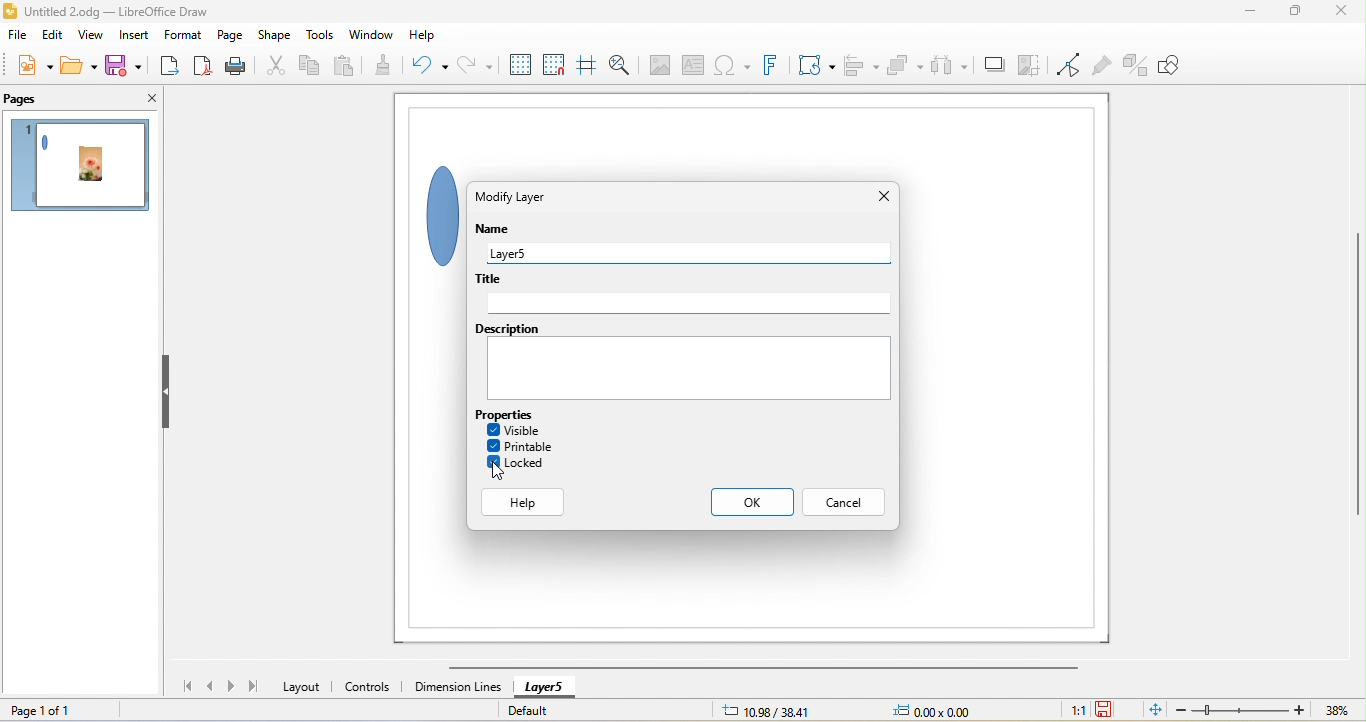  I want to click on snap to grid, so click(556, 64).